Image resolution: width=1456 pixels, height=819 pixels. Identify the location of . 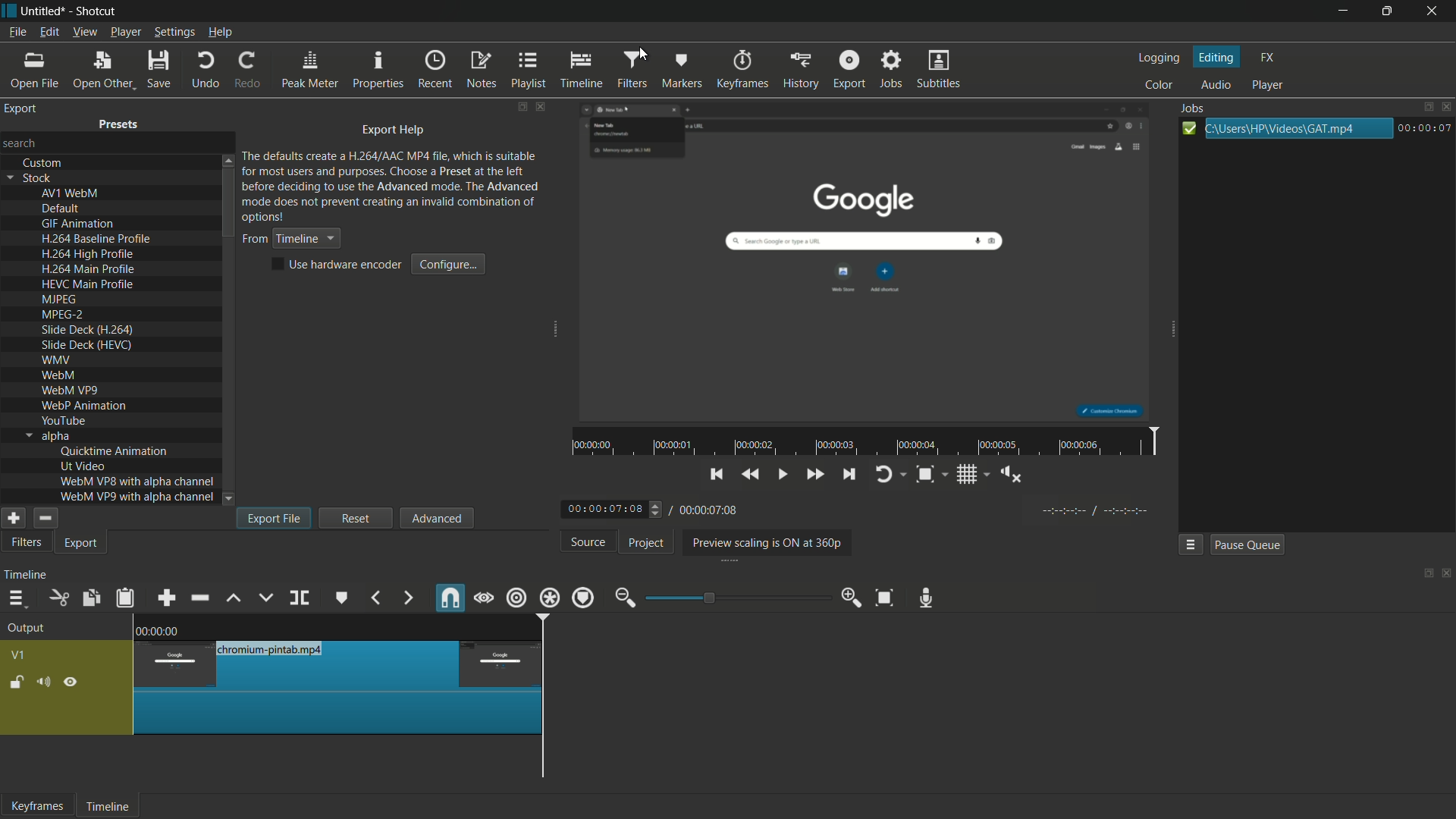
(1267, 55).